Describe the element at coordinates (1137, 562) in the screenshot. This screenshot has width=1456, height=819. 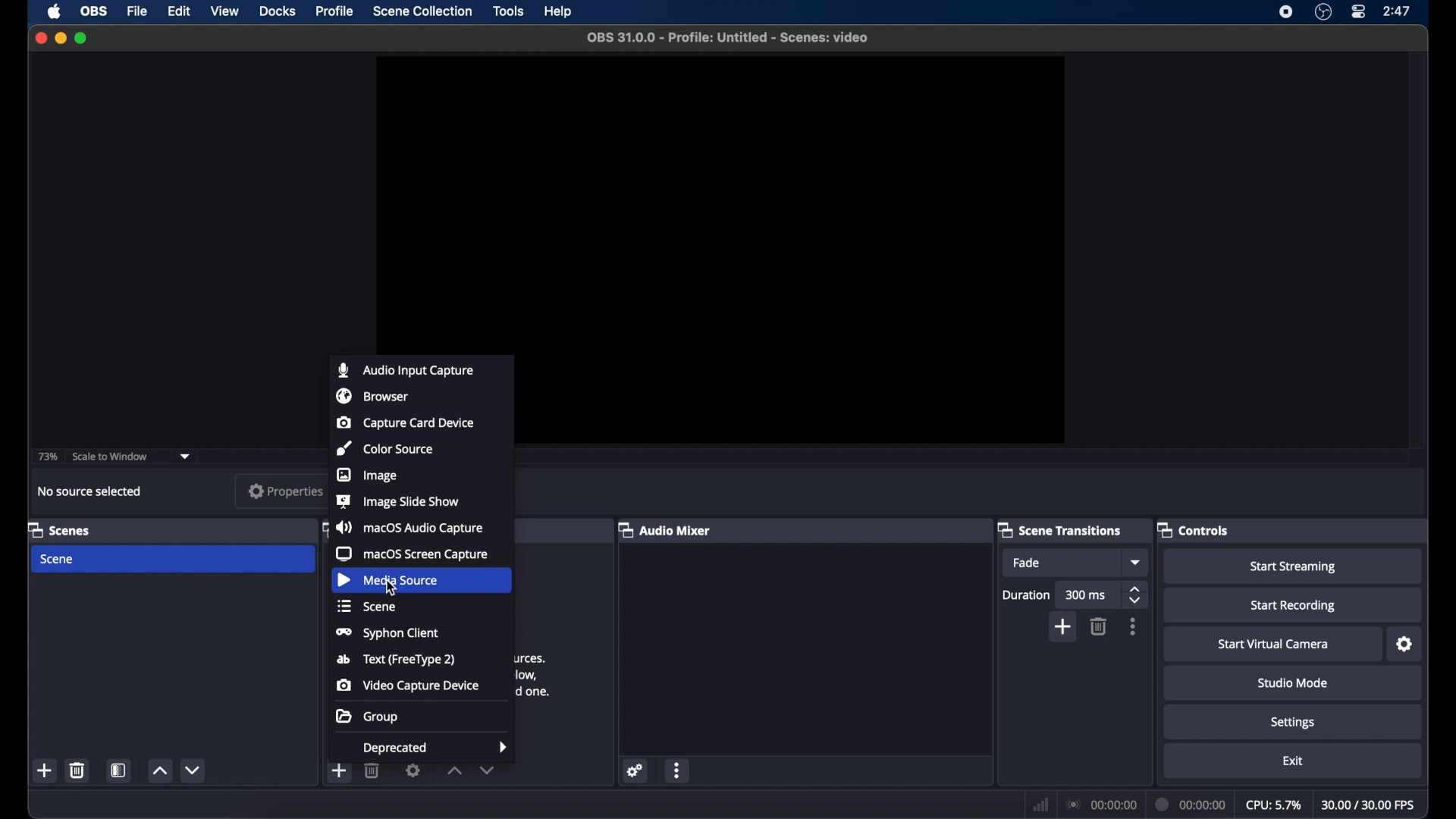
I see `dropdown` at that location.